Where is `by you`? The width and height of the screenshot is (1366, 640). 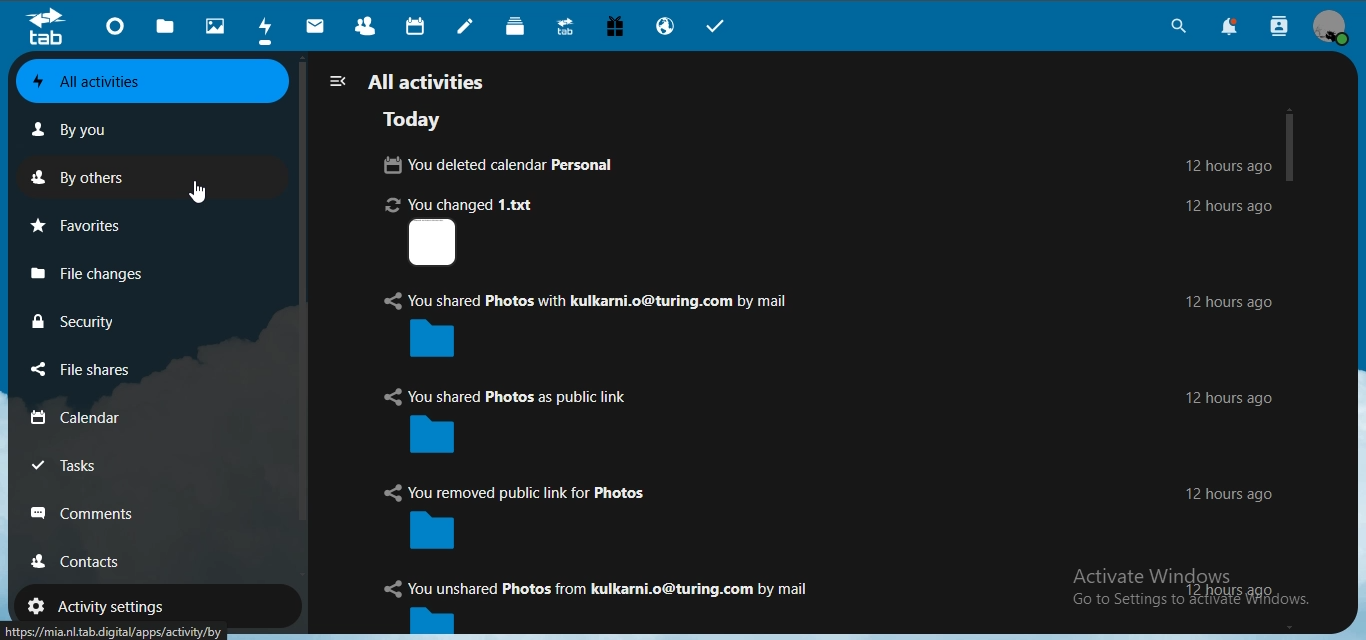
by you is located at coordinates (82, 130).